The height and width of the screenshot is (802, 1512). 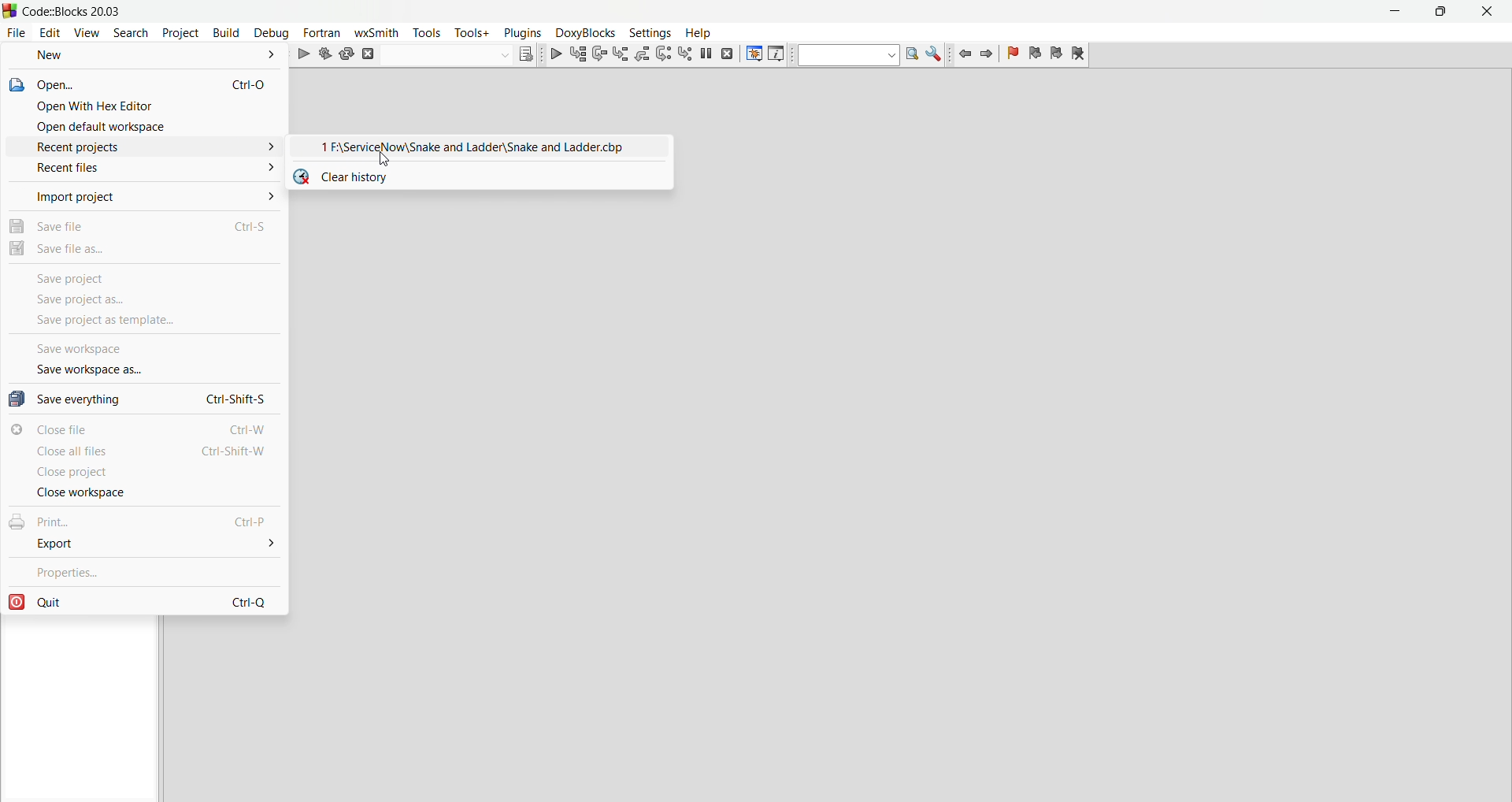 I want to click on run search , so click(x=912, y=56).